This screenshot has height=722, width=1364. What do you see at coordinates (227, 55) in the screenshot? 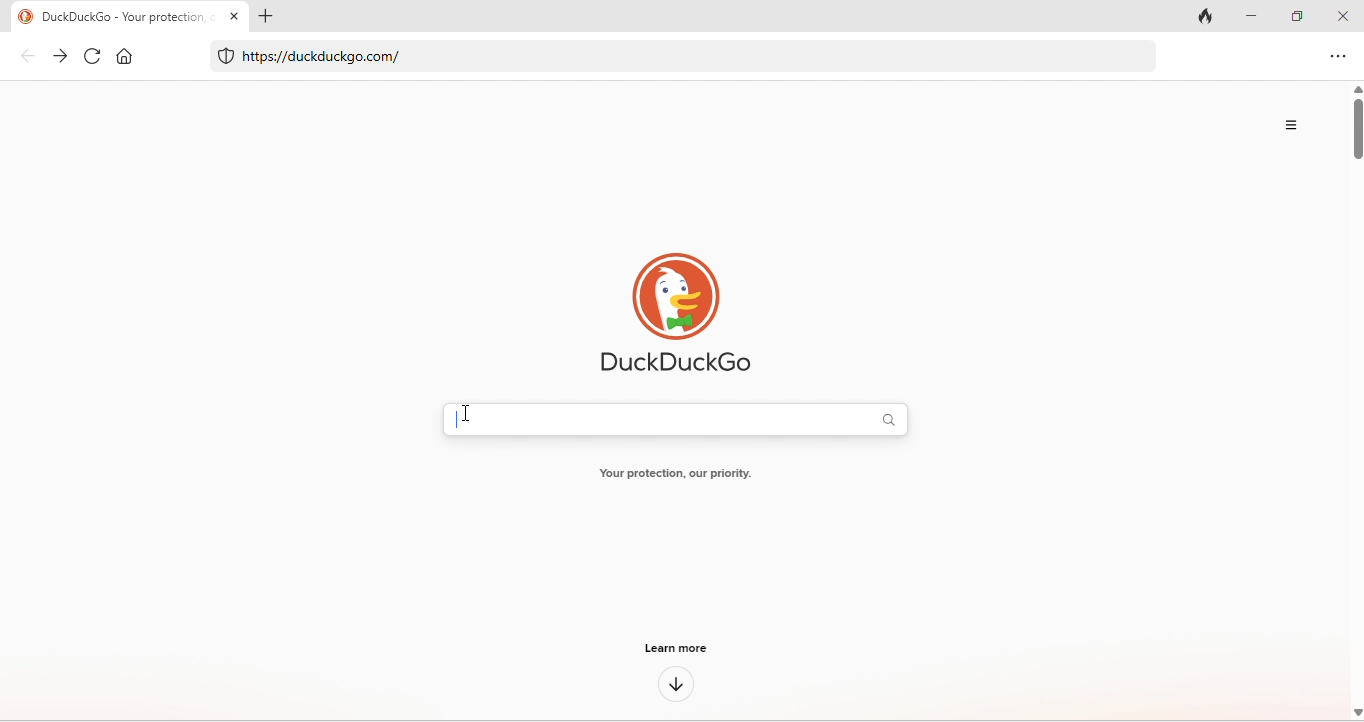
I see `mac safe` at bounding box center [227, 55].